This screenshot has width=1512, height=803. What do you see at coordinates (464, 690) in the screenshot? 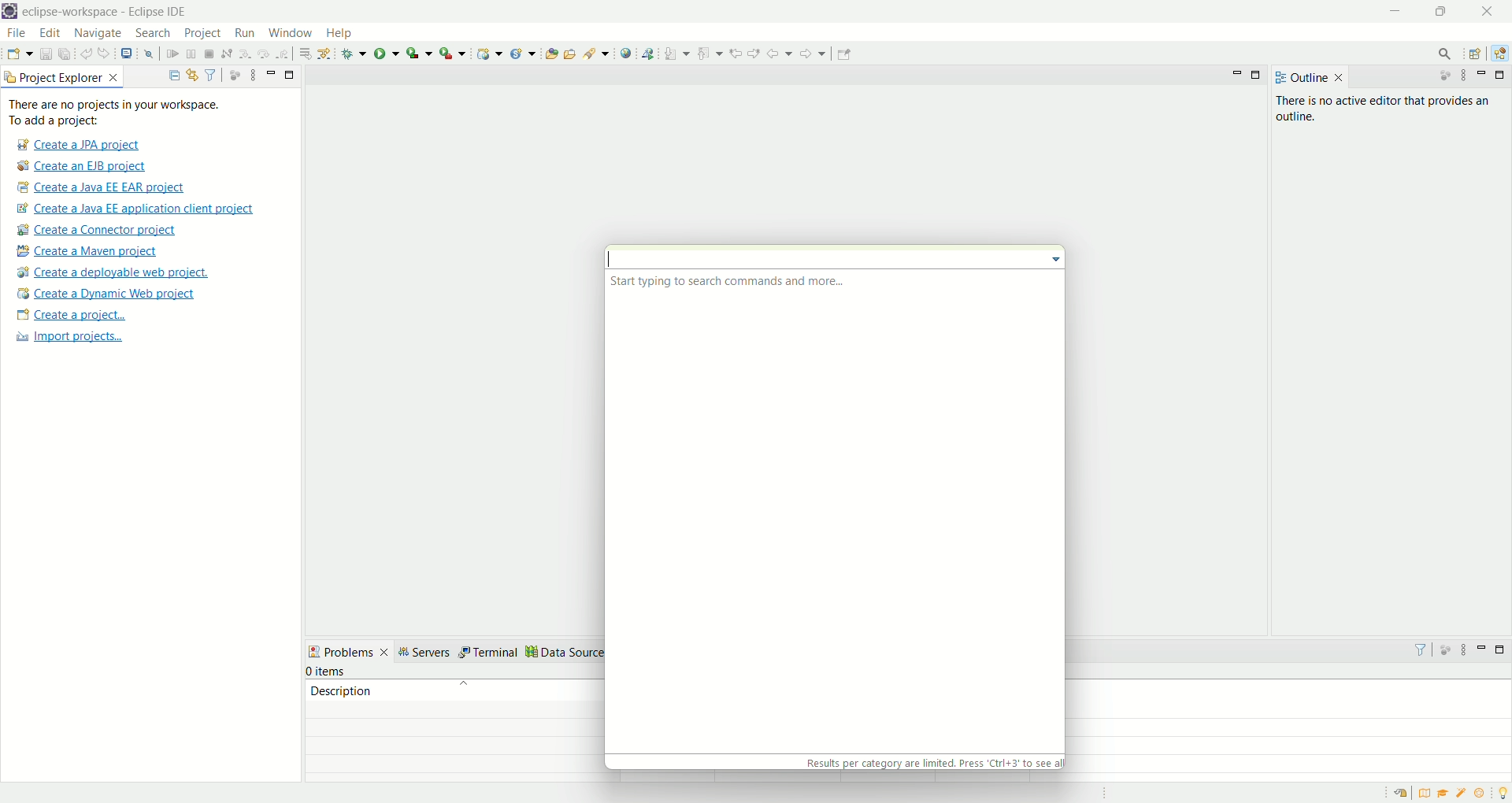
I see `description` at bounding box center [464, 690].